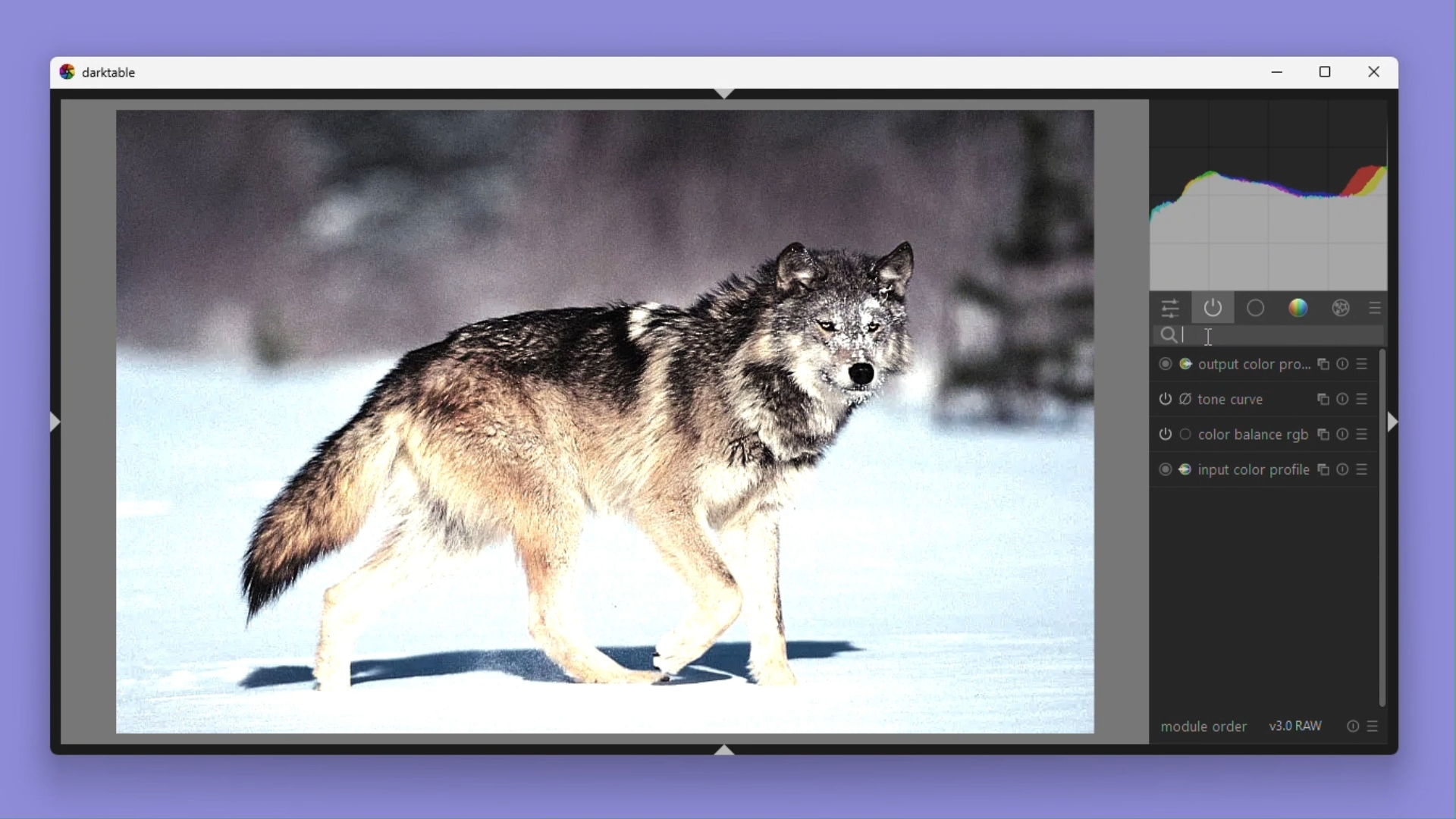 This screenshot has height=819, width=1456. What do you see at coordinates (1324, 471) in the screenshot?
I see `copy` at bounding box center [1324, 471].